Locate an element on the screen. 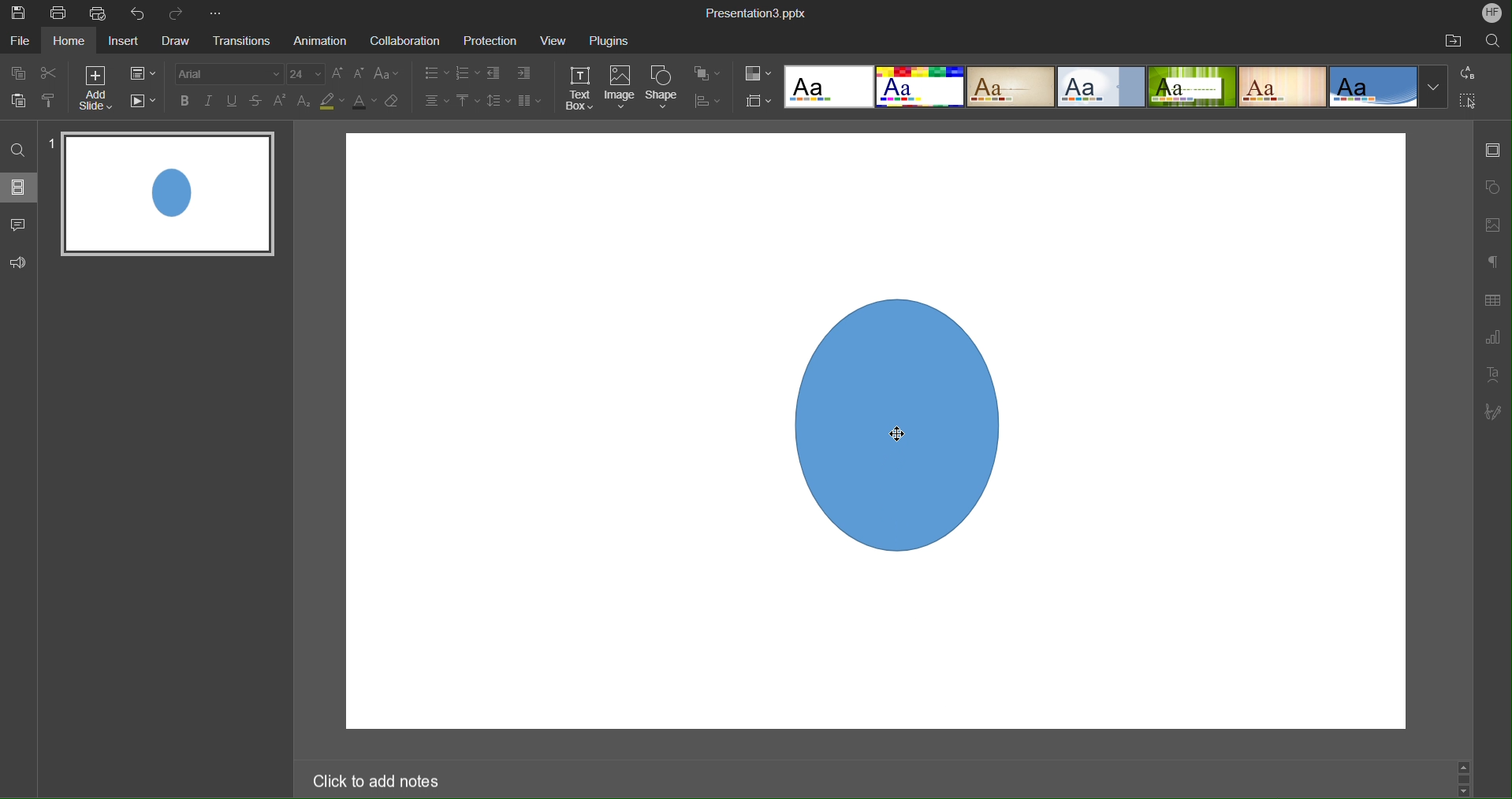 This screenshot has width=1512, height=799. Draw is located at coordinates (177, 43).